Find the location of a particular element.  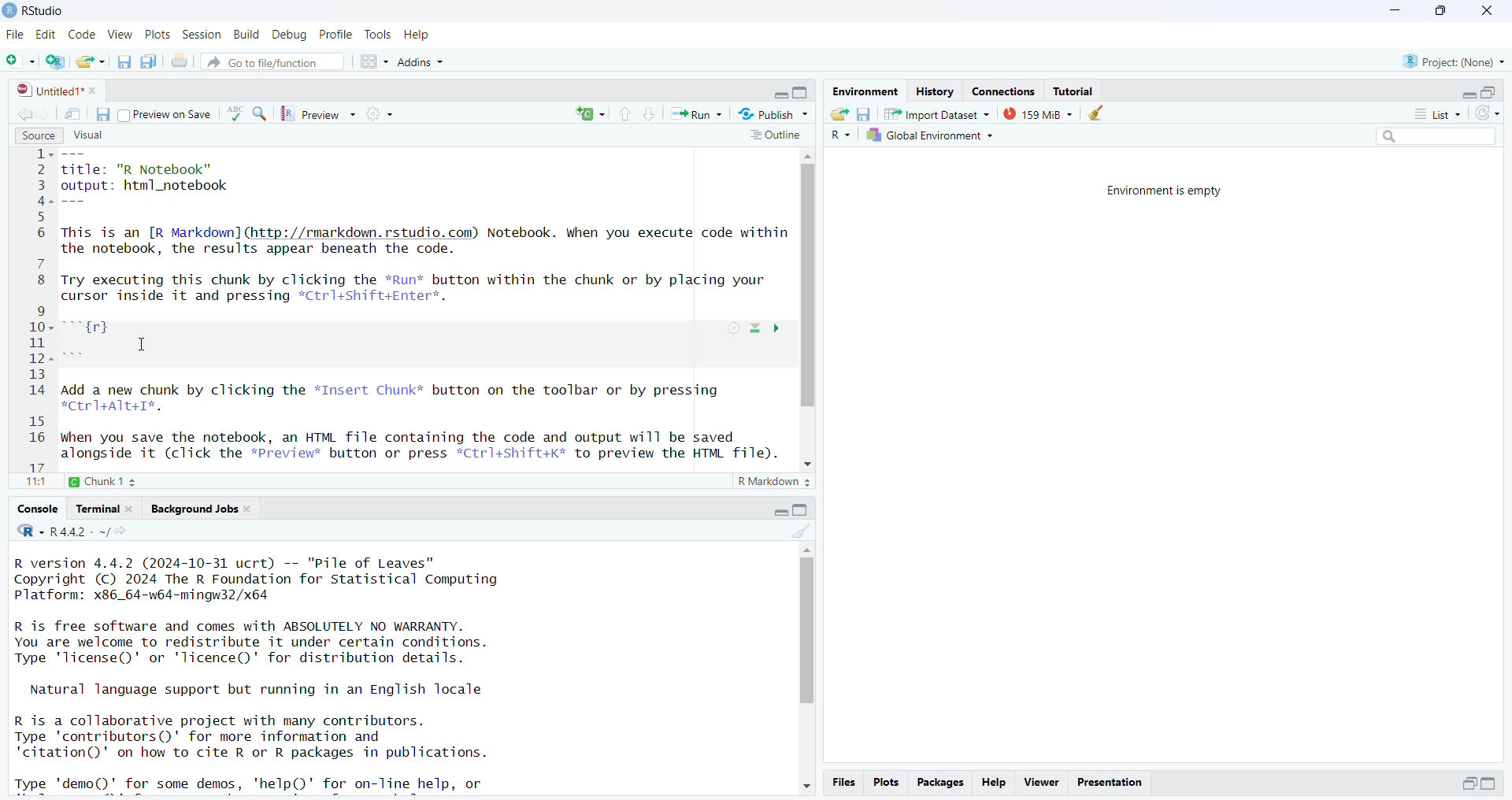

files is located at coordinates (843, 783).